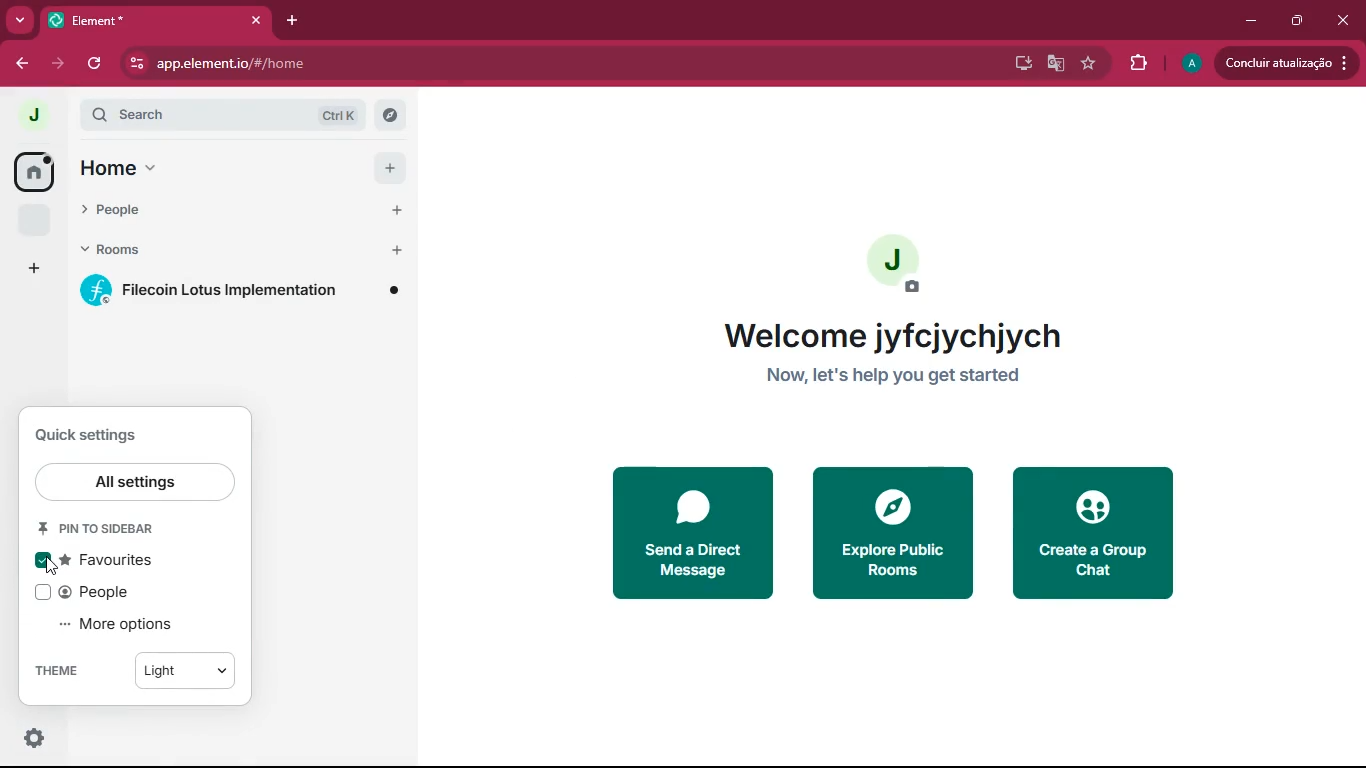  What do you see at coordinates (35, 268) in the screenshot?
I see `add` at bounding box center [35, 268].